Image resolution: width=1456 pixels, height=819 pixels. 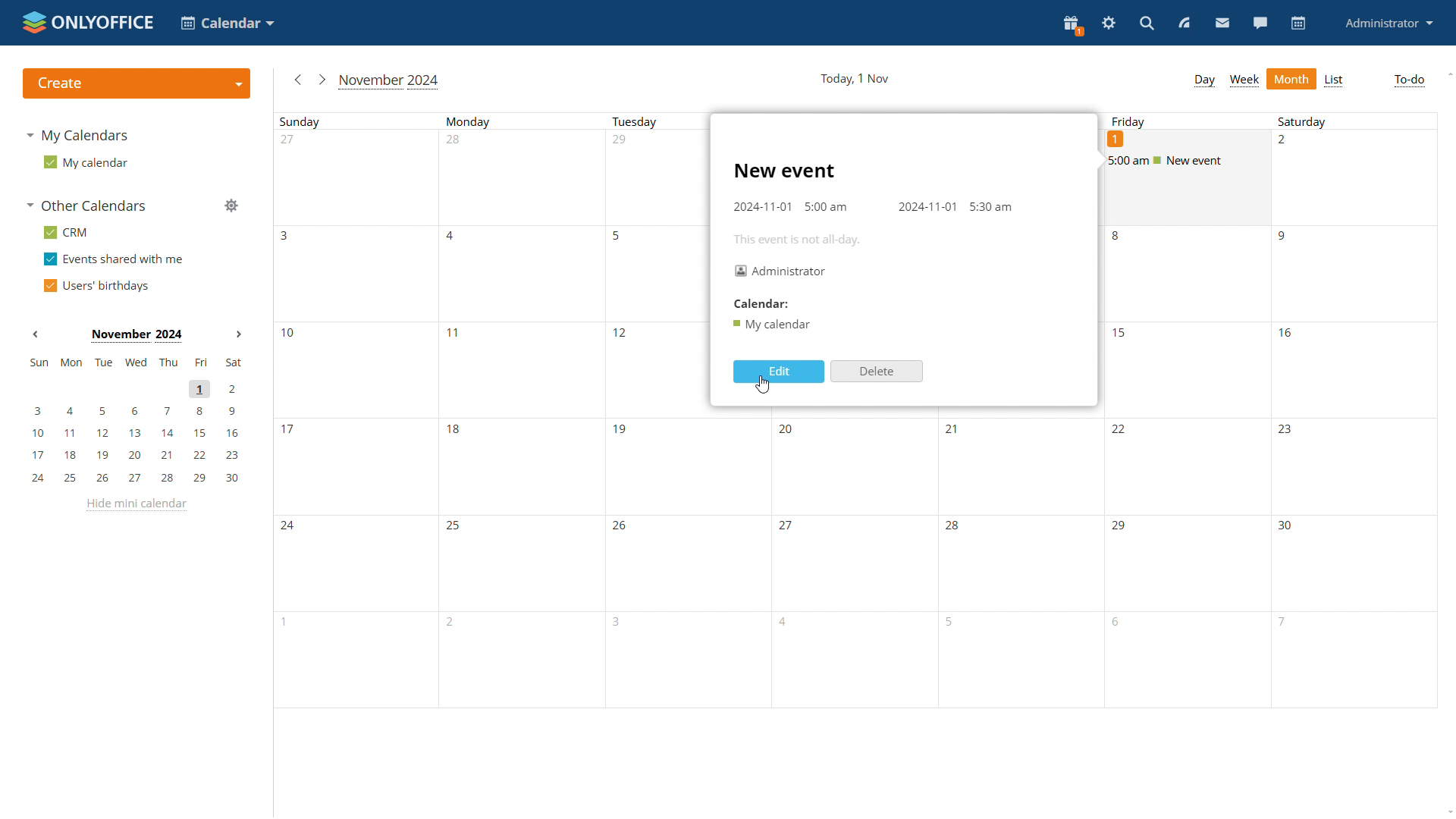 What do you see at coordinates (86, 206) in the screenshot?
I see `other calendars` at bounding box center [86, 206].